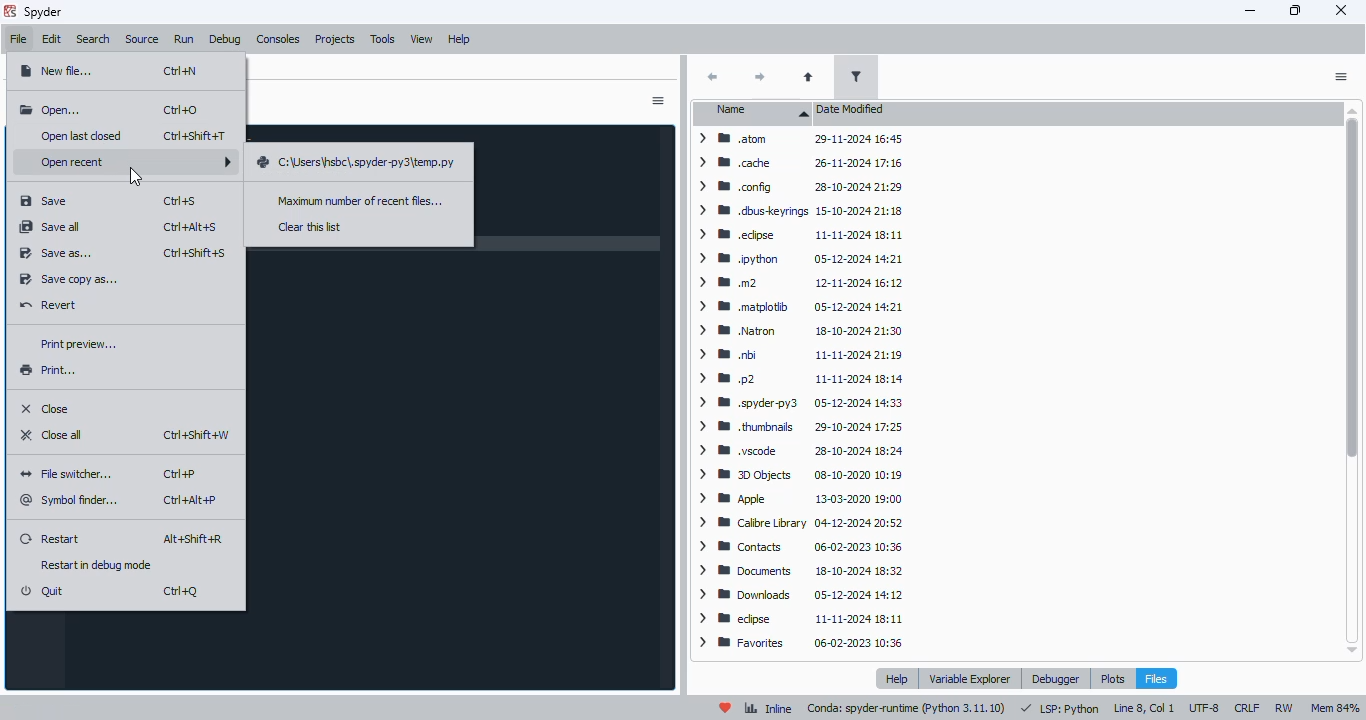  I want to click on view, so click(422, 40).